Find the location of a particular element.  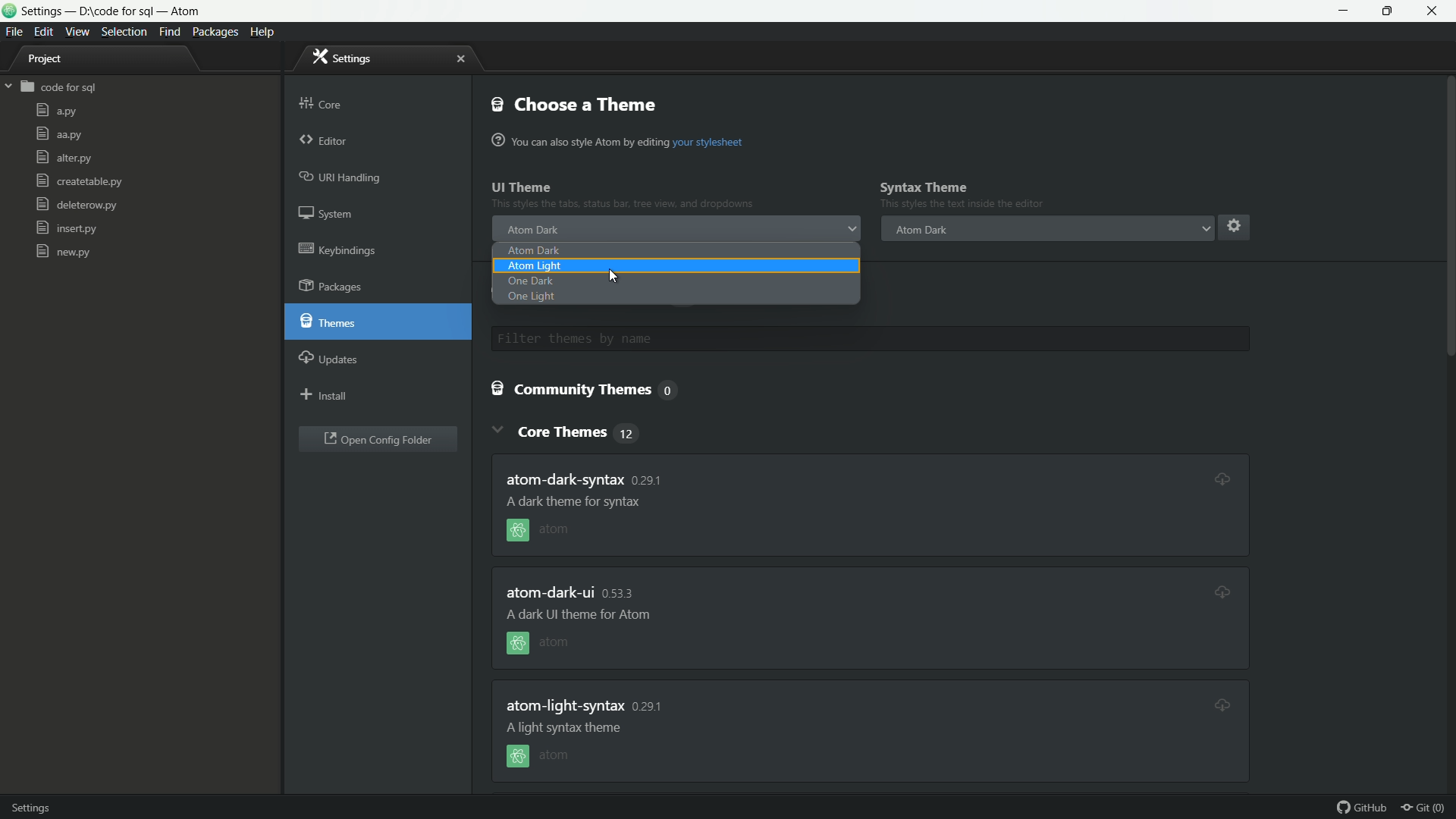

a dark theme for syntax is located at coordinates (567, 727).